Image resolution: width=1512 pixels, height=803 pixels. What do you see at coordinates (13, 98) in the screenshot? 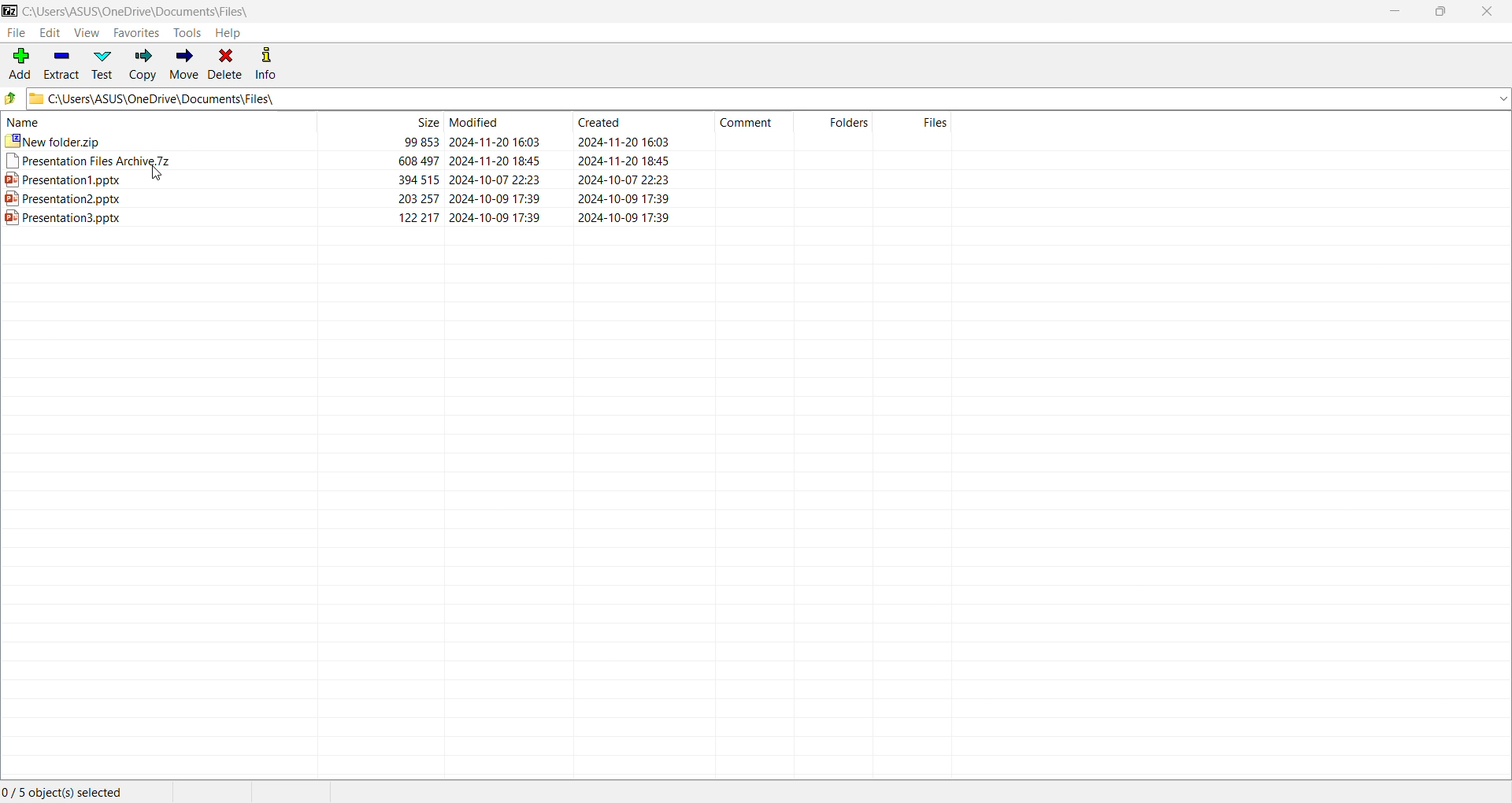
I see `Move Up one level` at bounding box center [13, 98].